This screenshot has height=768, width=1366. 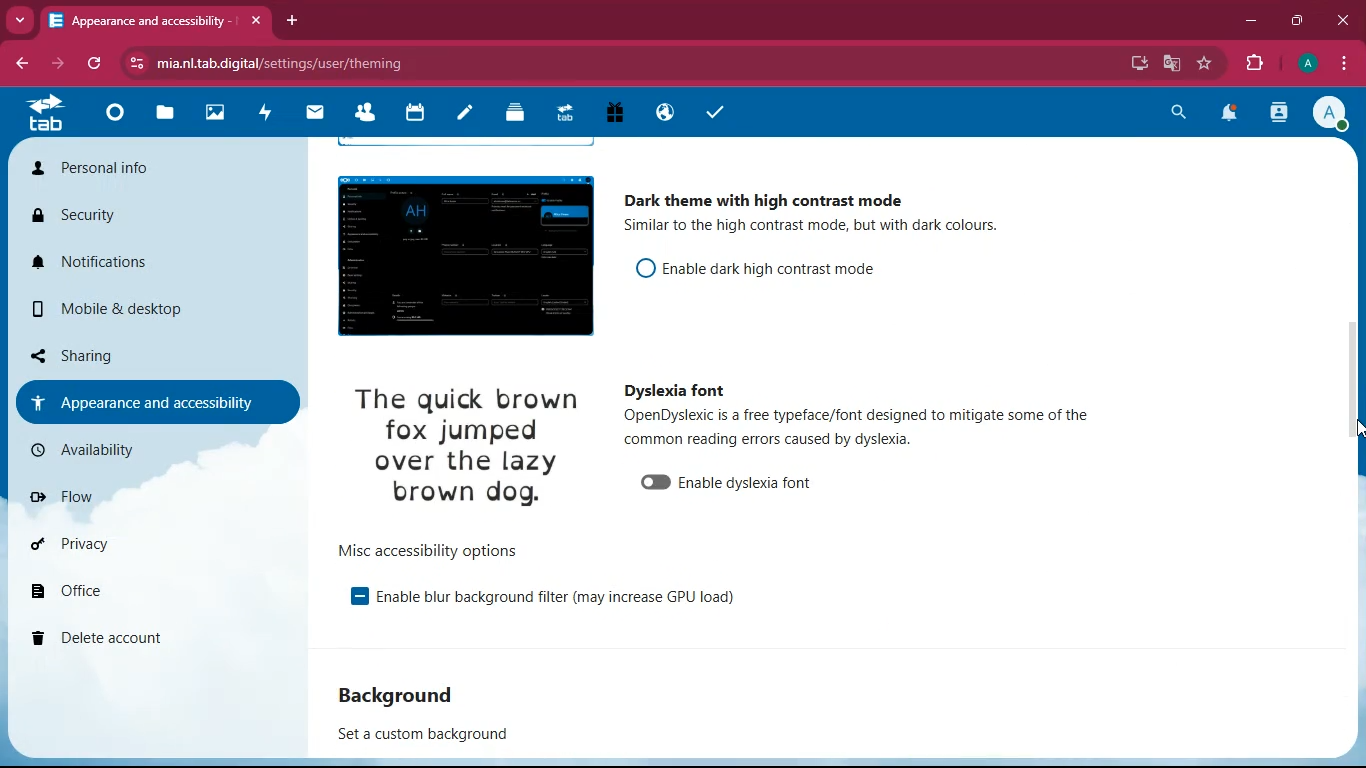 What do you see at coordinates (141, 167) in the screenshot?
I see `personal info` at bounding box center [141, 167].